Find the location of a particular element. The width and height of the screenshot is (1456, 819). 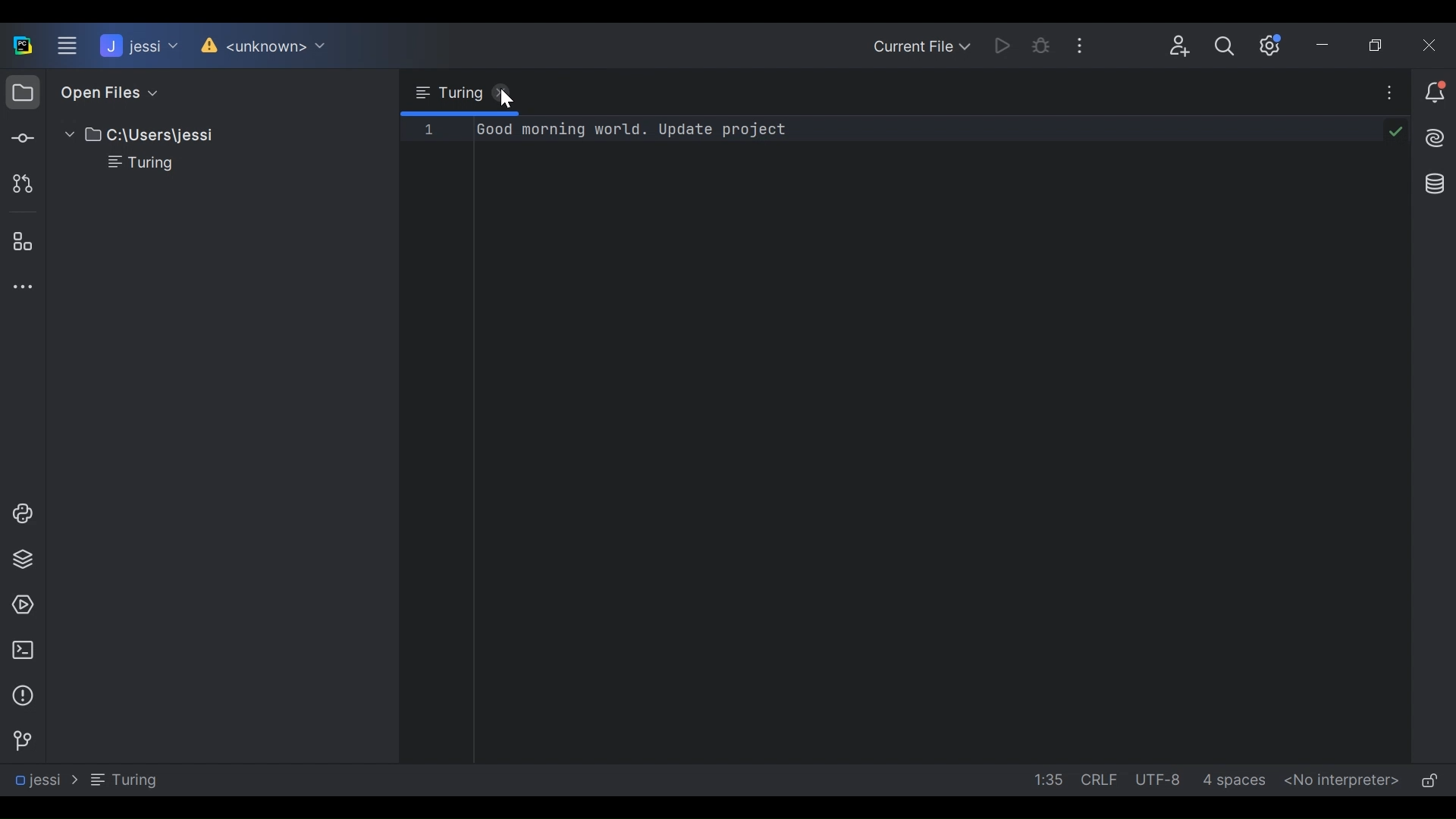

Version Control is located at coordinates (259, 46).